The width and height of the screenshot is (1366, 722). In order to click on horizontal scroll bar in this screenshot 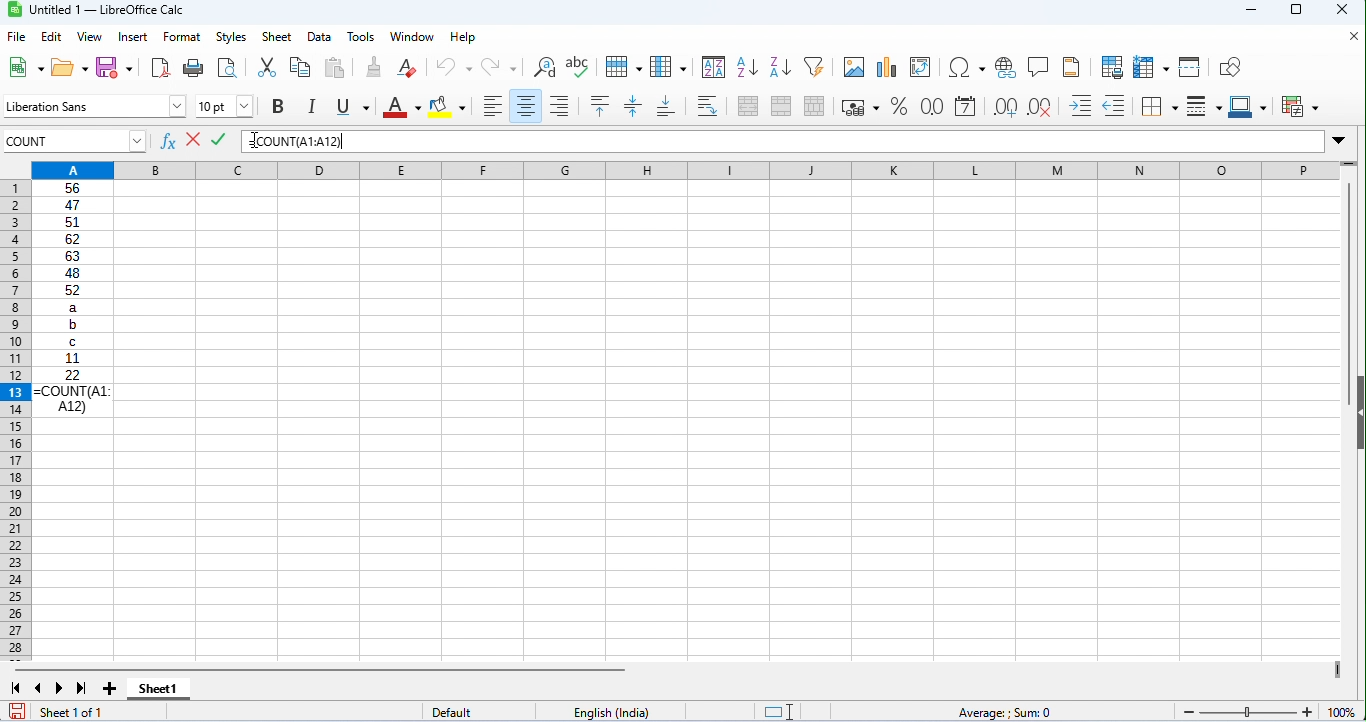, I will do `click(321, 670)`.